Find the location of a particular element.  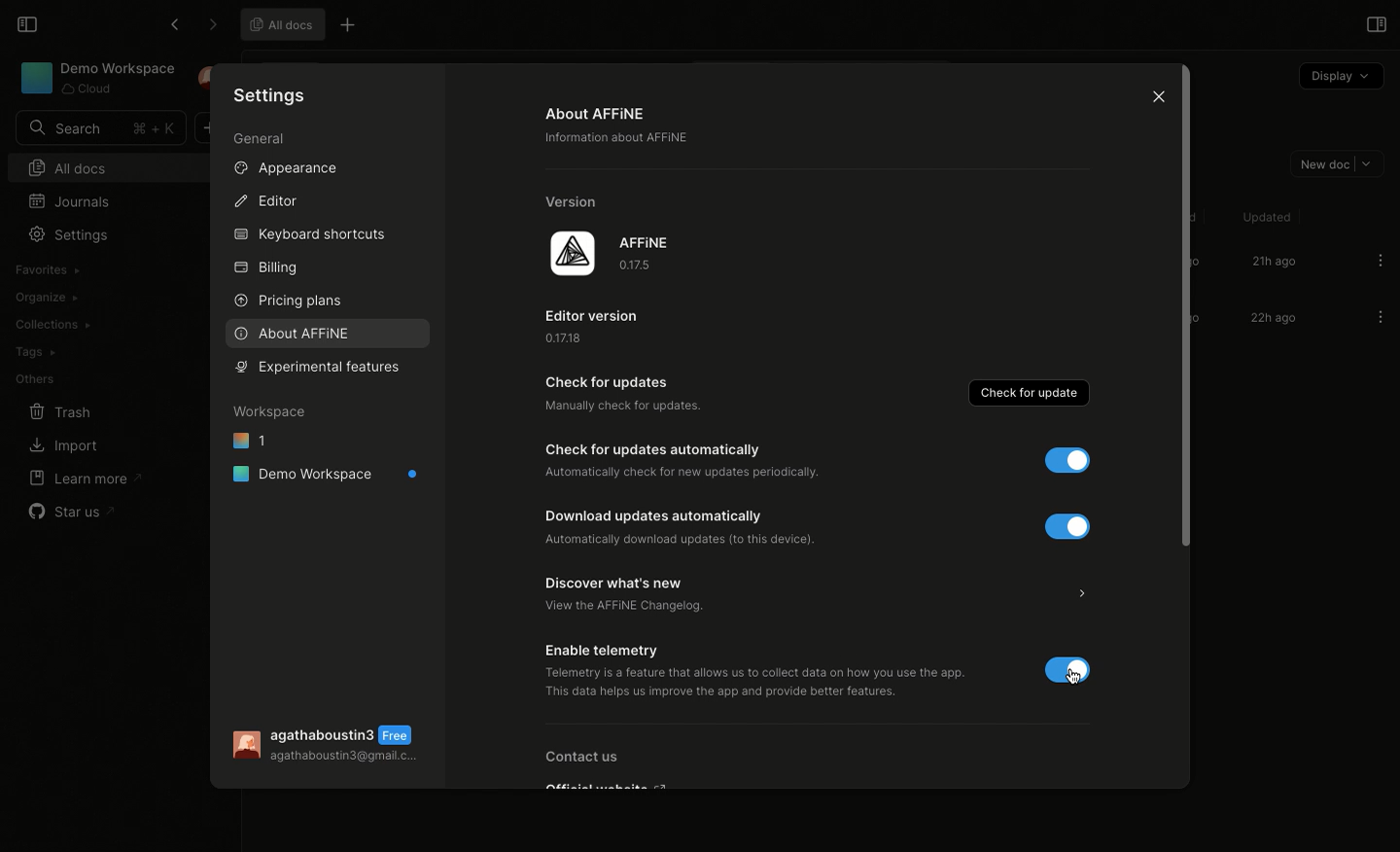

Tags is located at coordinates (34, 352).